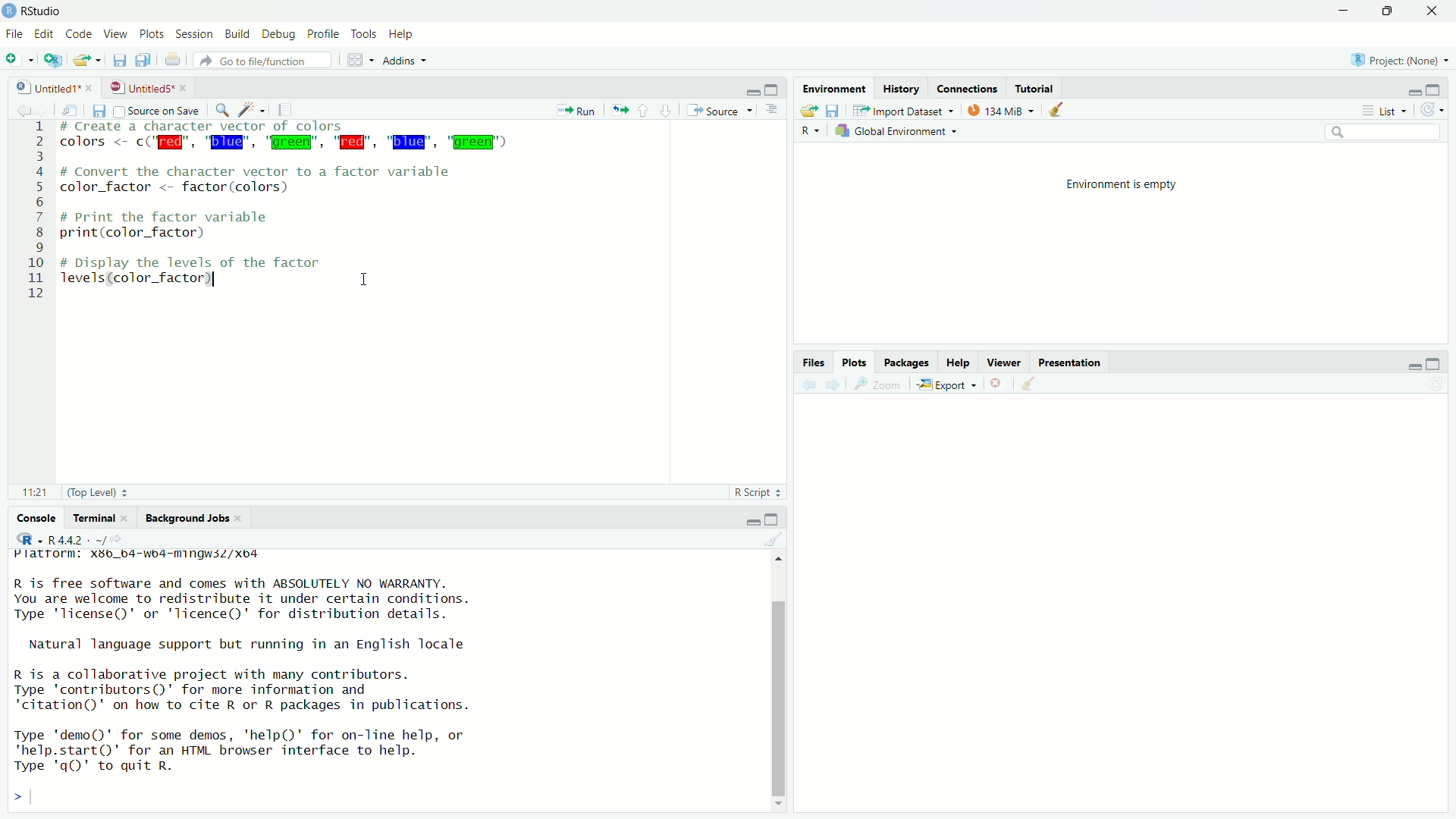  I want to click on view the current working directory, so click(123, 541).